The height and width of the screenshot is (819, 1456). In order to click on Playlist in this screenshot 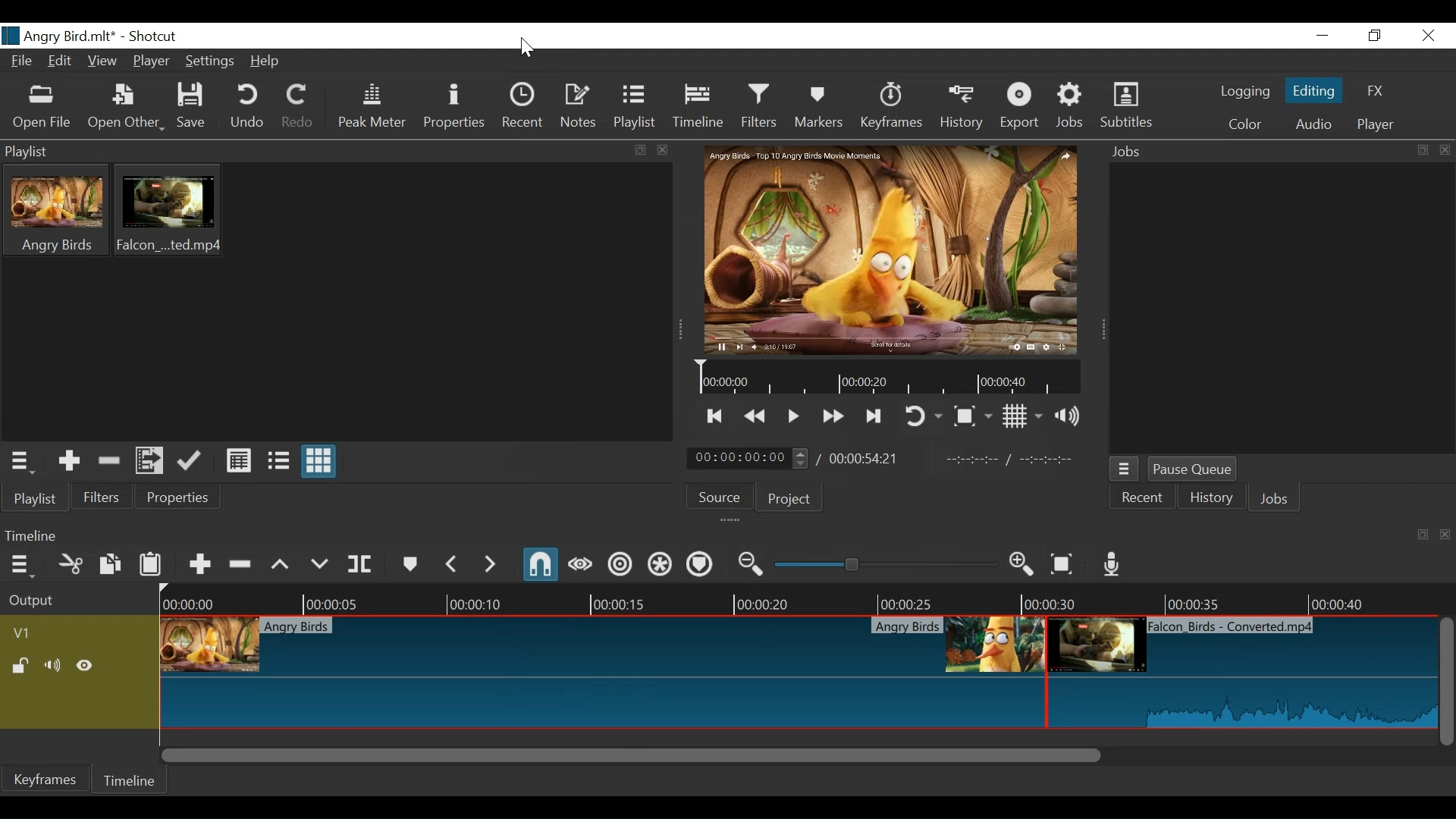, I will do `click(635, 107)`.